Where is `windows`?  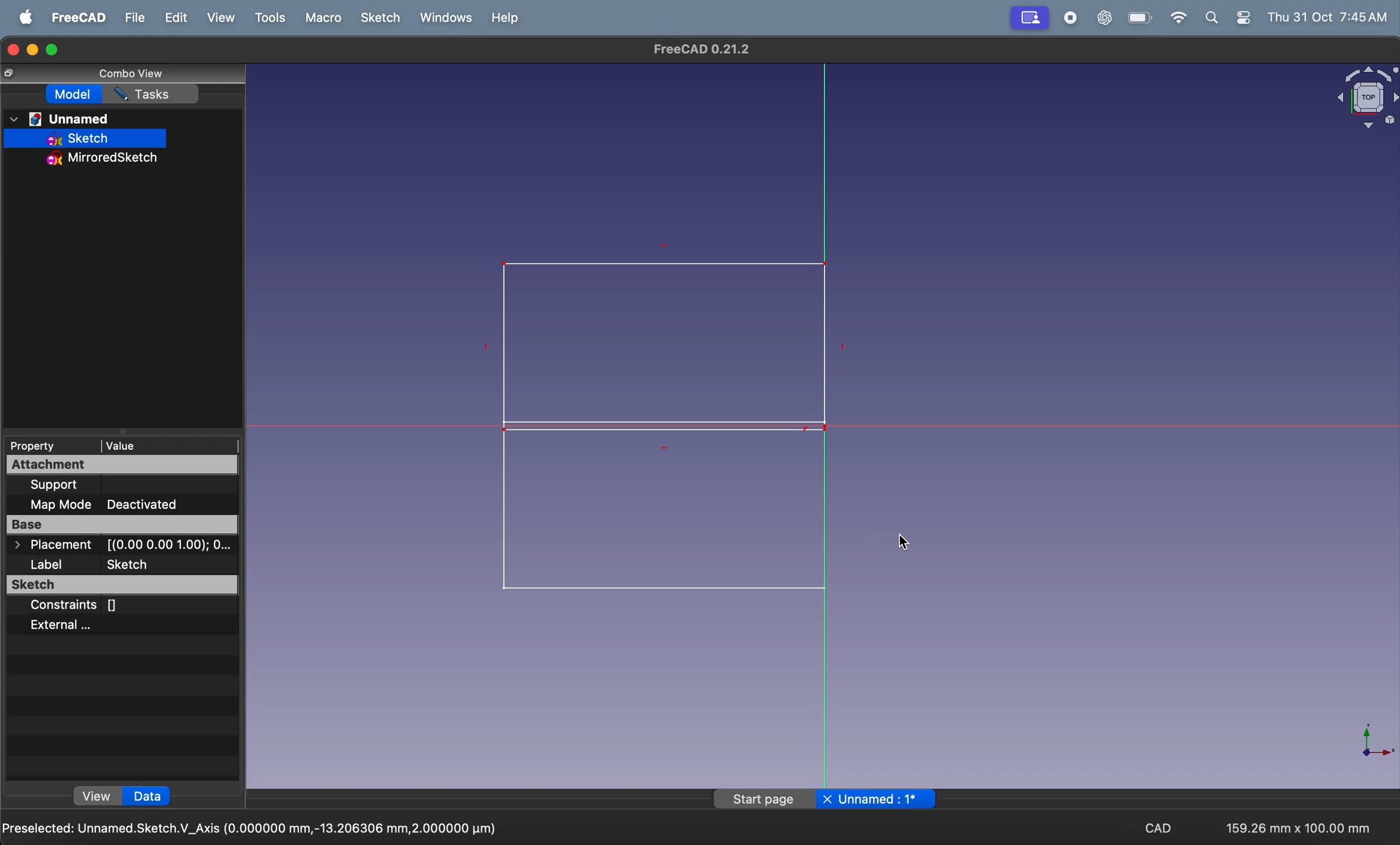
windows is located at coordinates (444, 18).